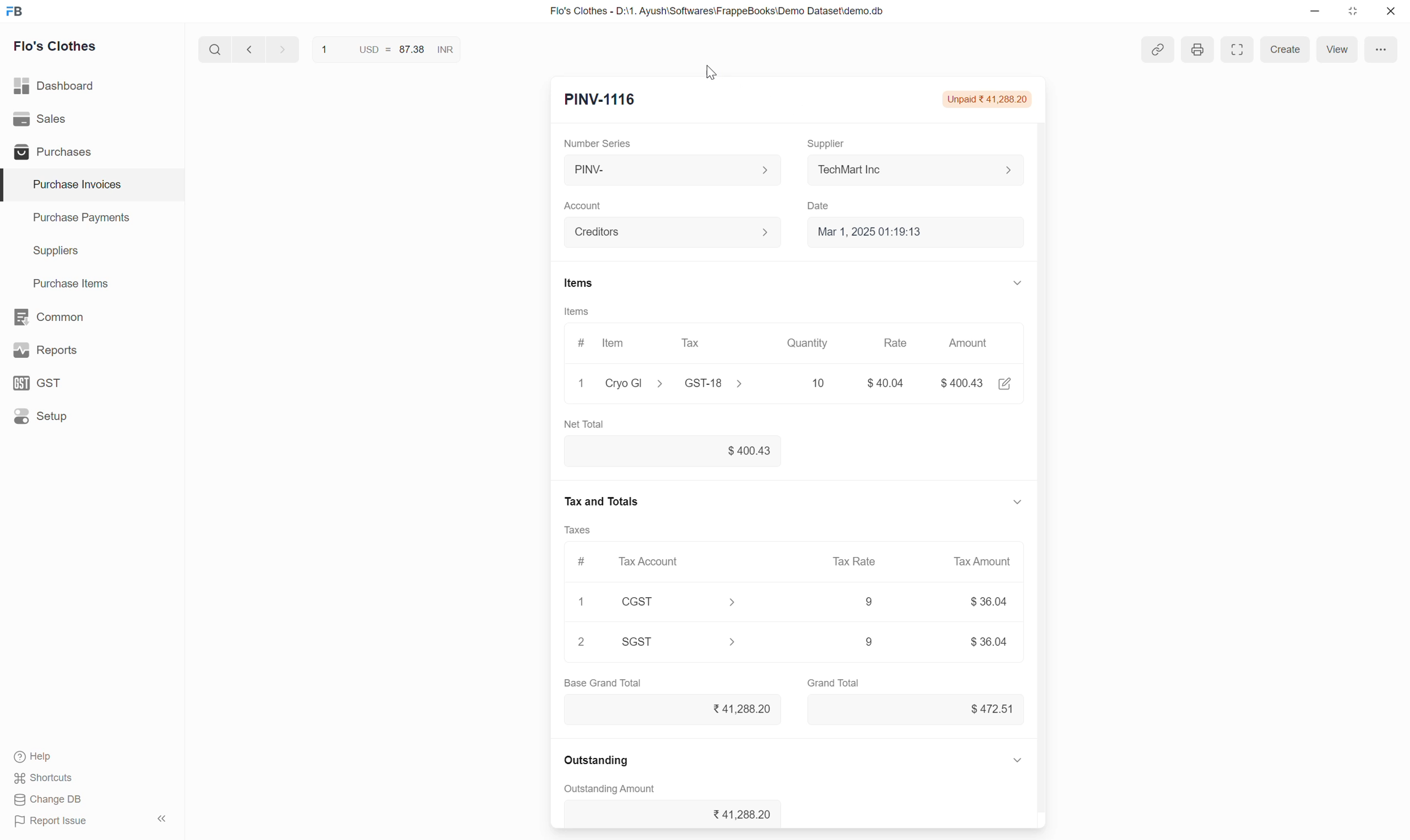  What do you see at coordinates (43, 416) in the screenshot?
I see `Setup` at bounding box center [43, 416].